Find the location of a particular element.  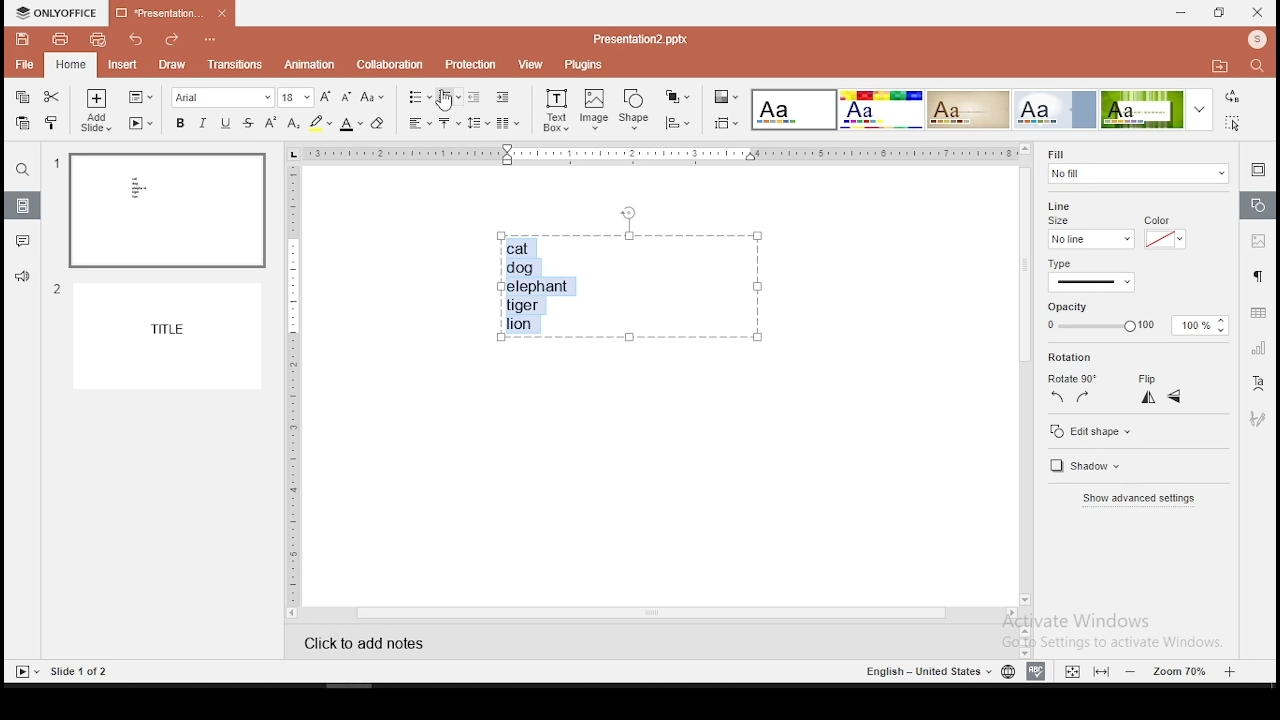

horizontal is located at coordinates (1176, 398).